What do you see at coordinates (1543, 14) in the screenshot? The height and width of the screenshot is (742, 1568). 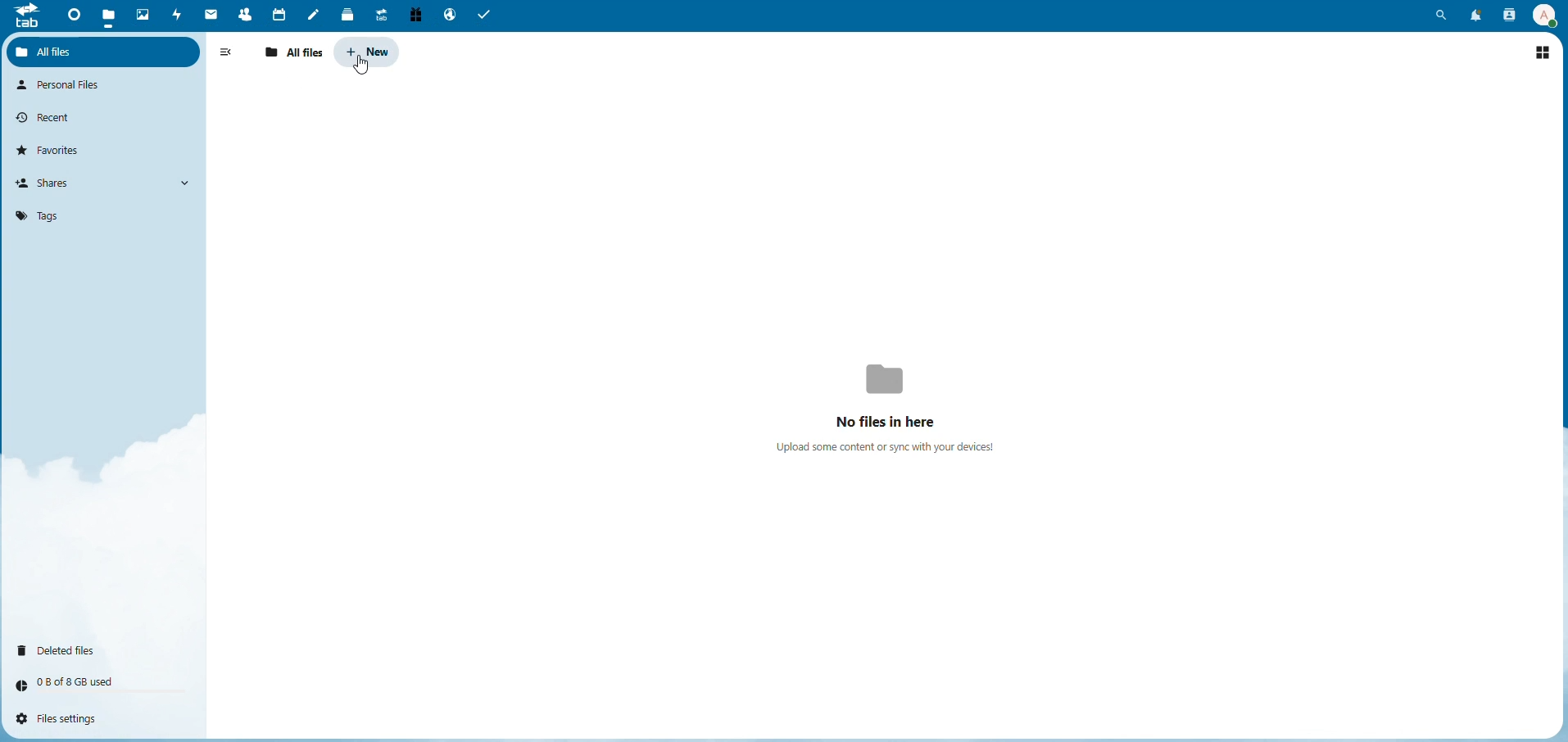 I see `Profile` at bounding box center [1543, 14].